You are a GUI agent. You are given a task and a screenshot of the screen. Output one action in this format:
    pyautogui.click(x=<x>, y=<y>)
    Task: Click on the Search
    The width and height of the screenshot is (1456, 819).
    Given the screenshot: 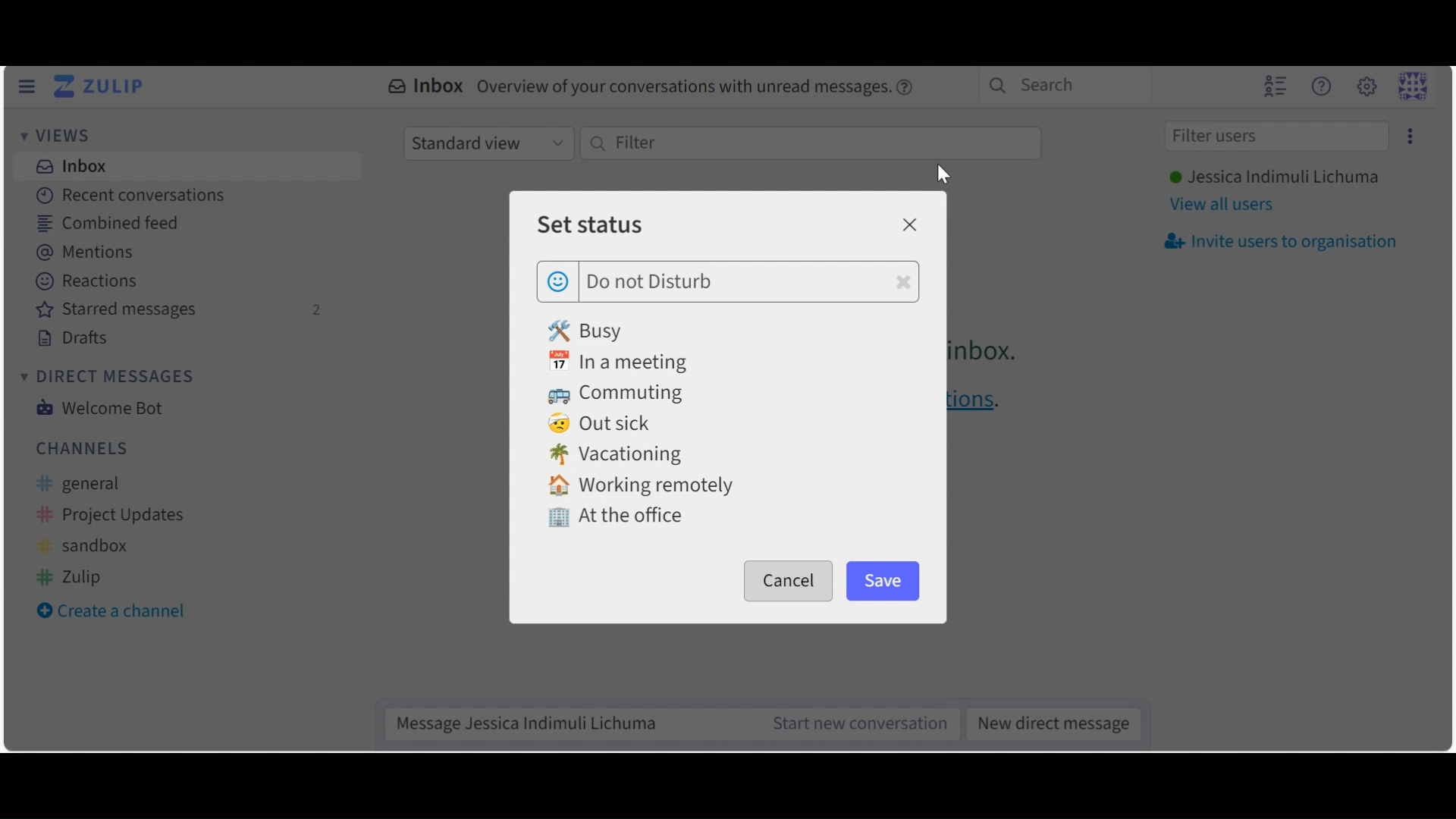 What is the action you would take?
    pyautogui.click(x=1062, y=85)
    